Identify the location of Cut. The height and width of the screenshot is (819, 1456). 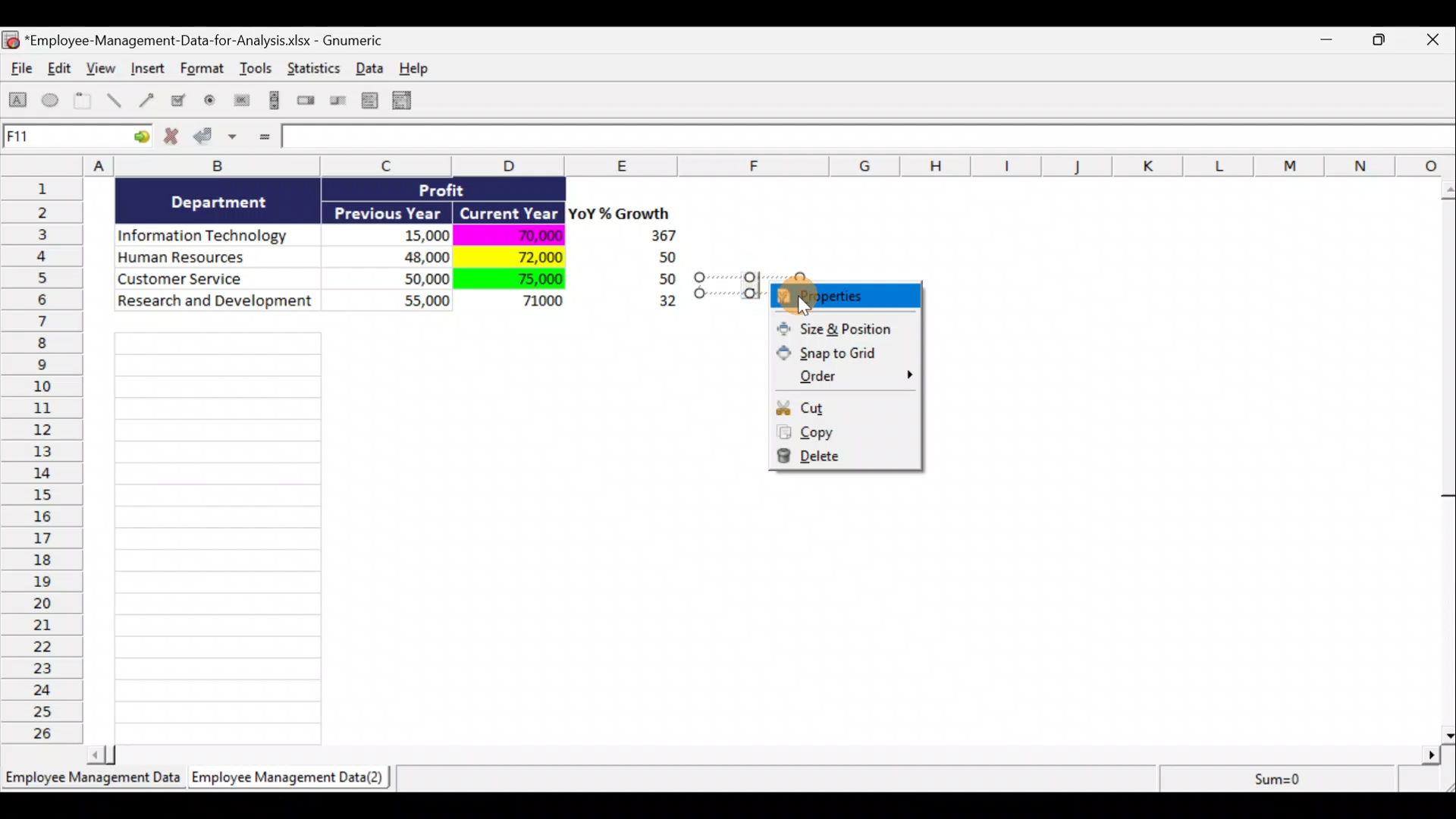
(848, 406).